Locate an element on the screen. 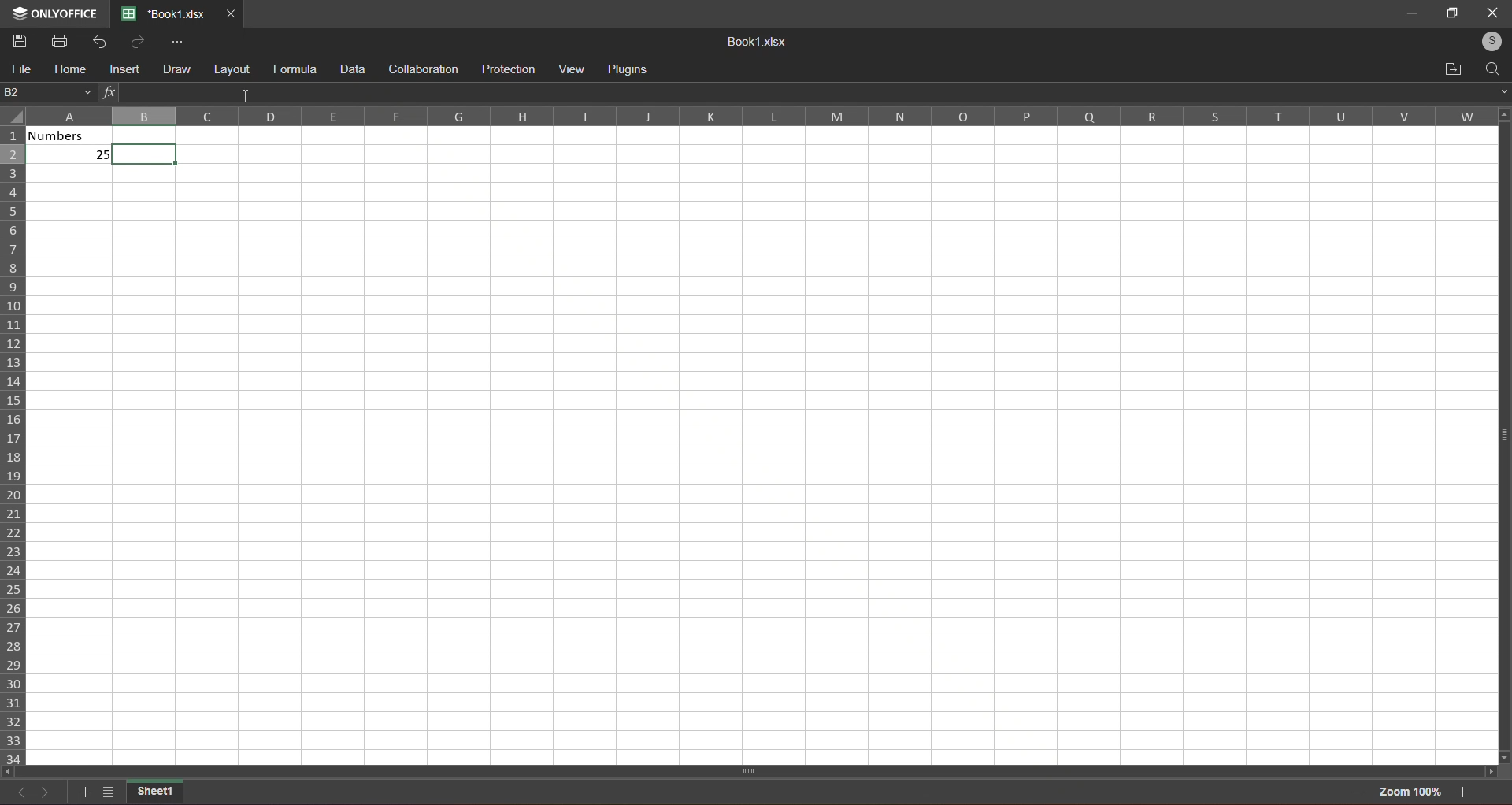  more is located at coordinates (176, 42).